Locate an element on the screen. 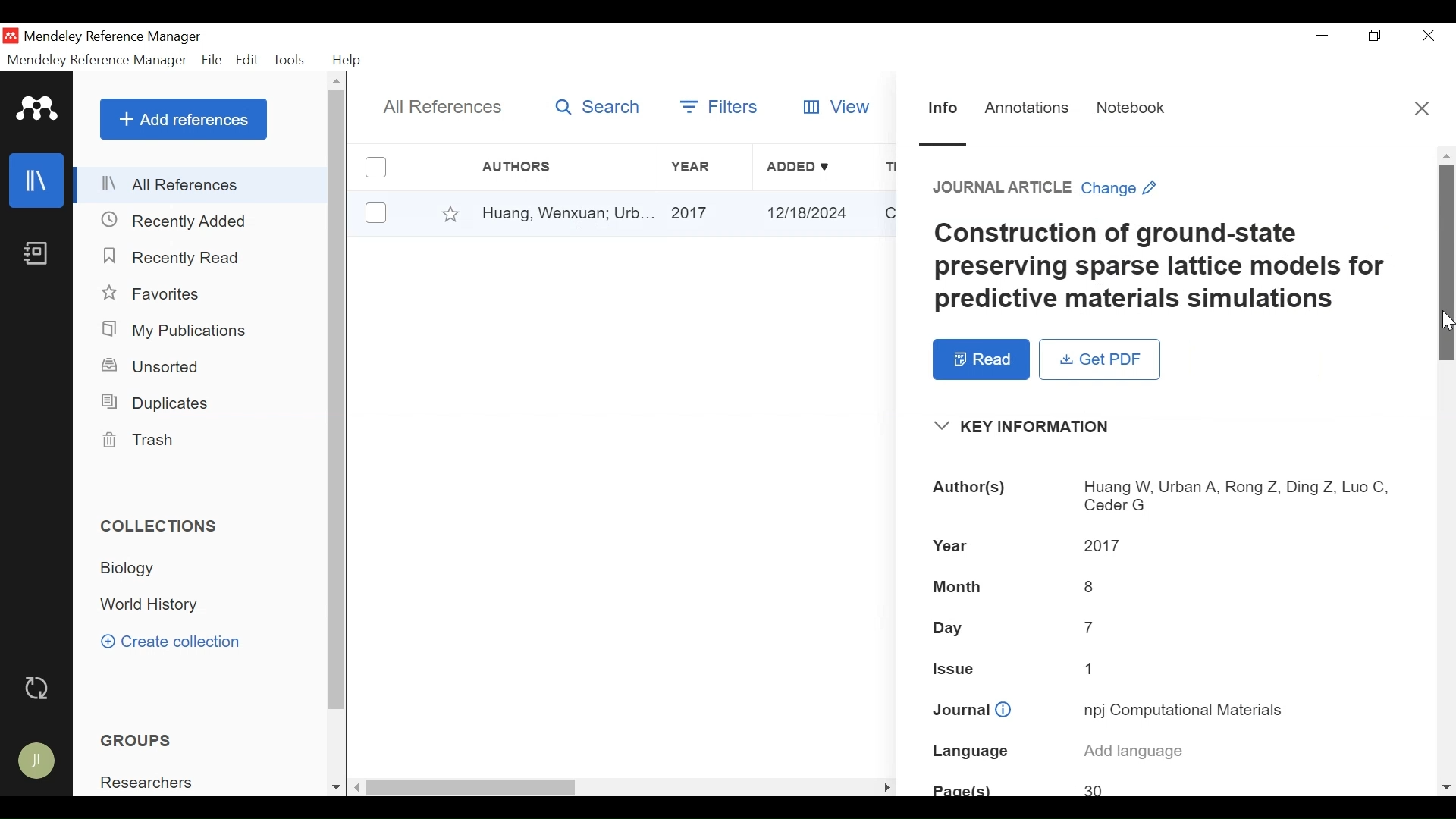  Key Information is located at coordinates (1029, 427).